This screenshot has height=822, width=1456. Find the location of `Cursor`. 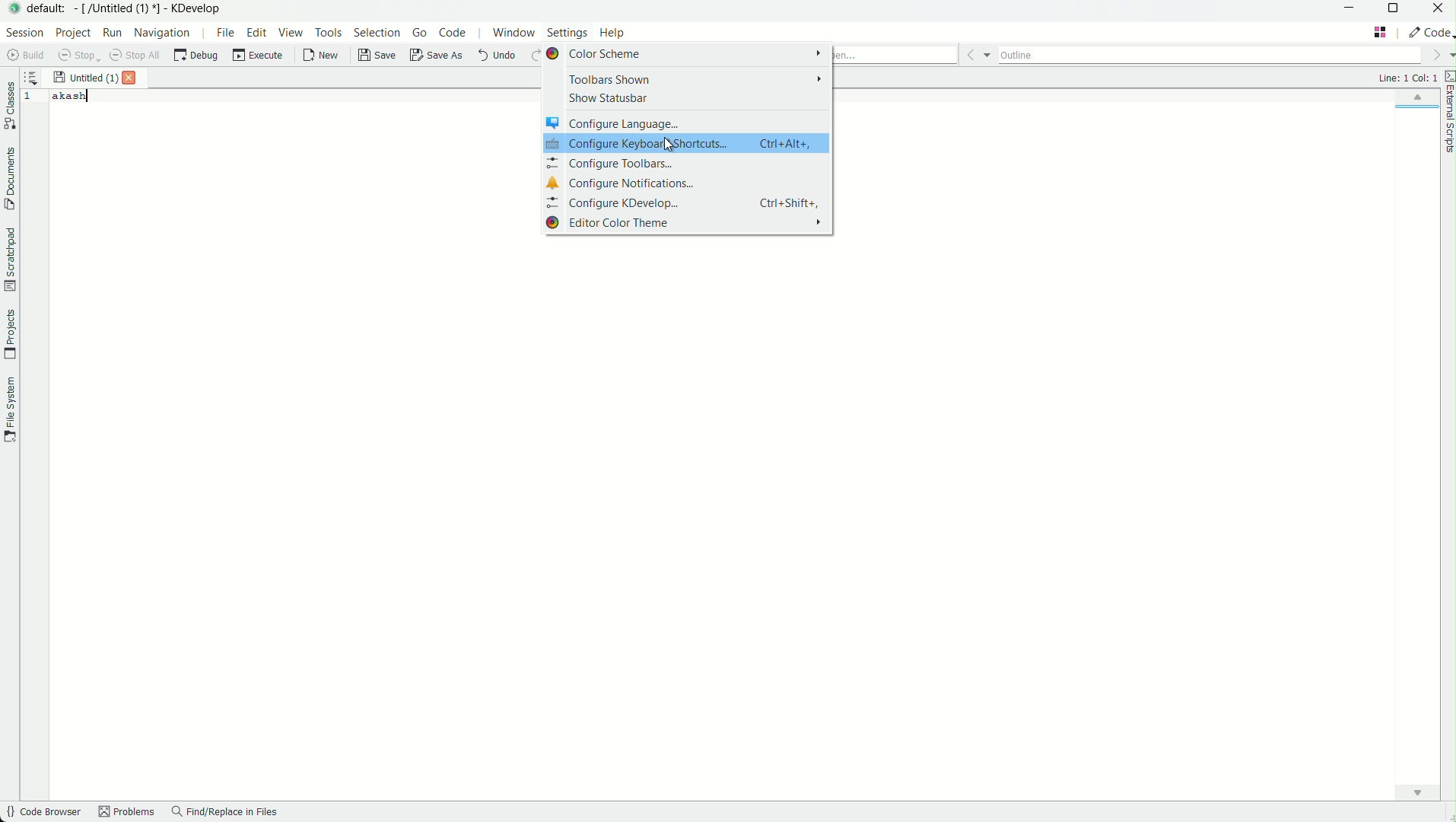

Cursor is located at coordinates (668, 145).